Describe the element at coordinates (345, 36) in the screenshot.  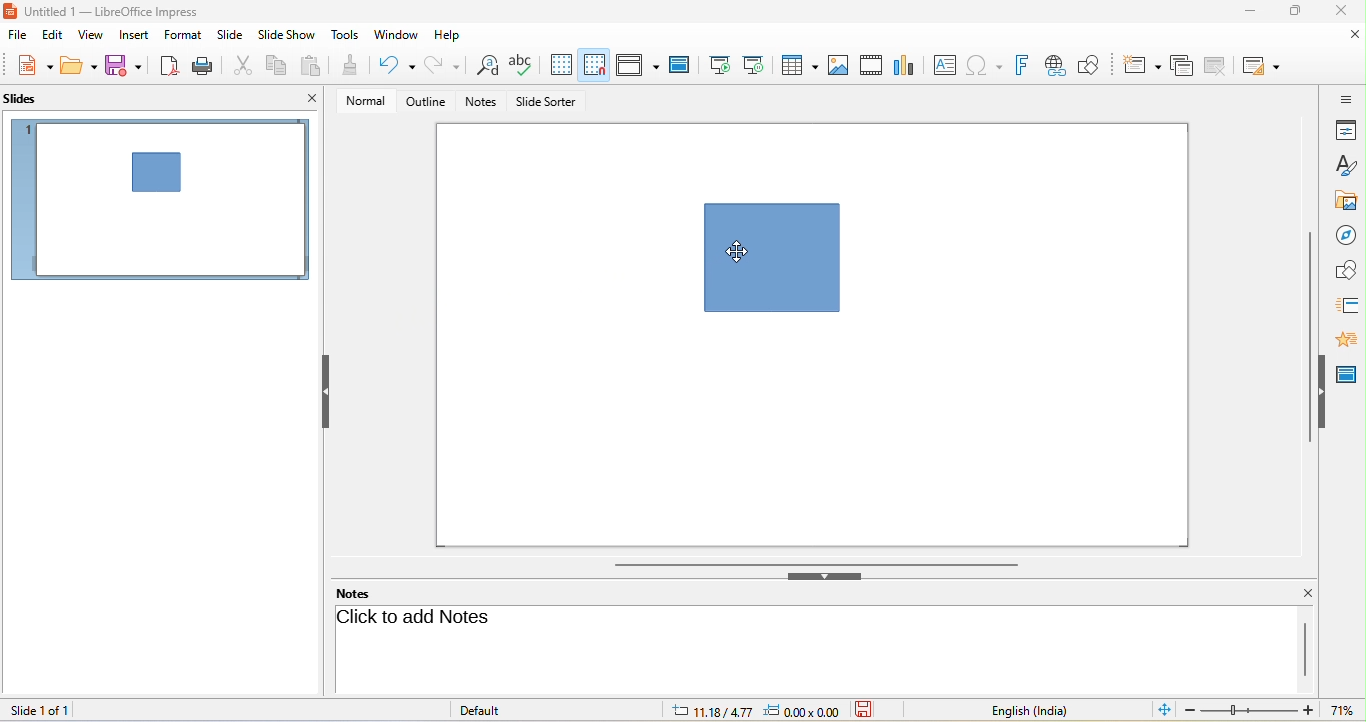
I see `tools` at that location.